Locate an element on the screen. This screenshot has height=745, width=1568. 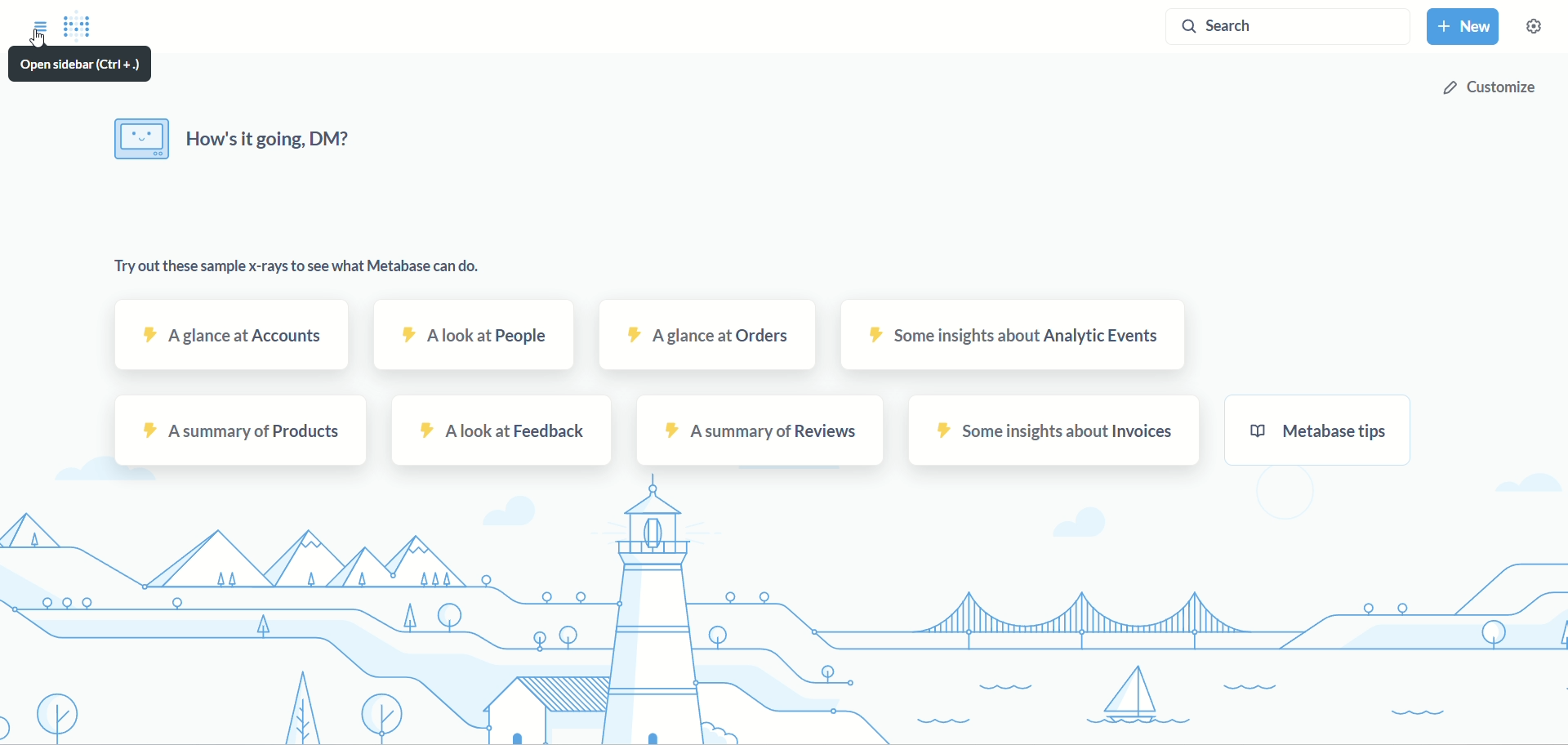
some insights about Analytic Events is located at coordinates (1017, 335).